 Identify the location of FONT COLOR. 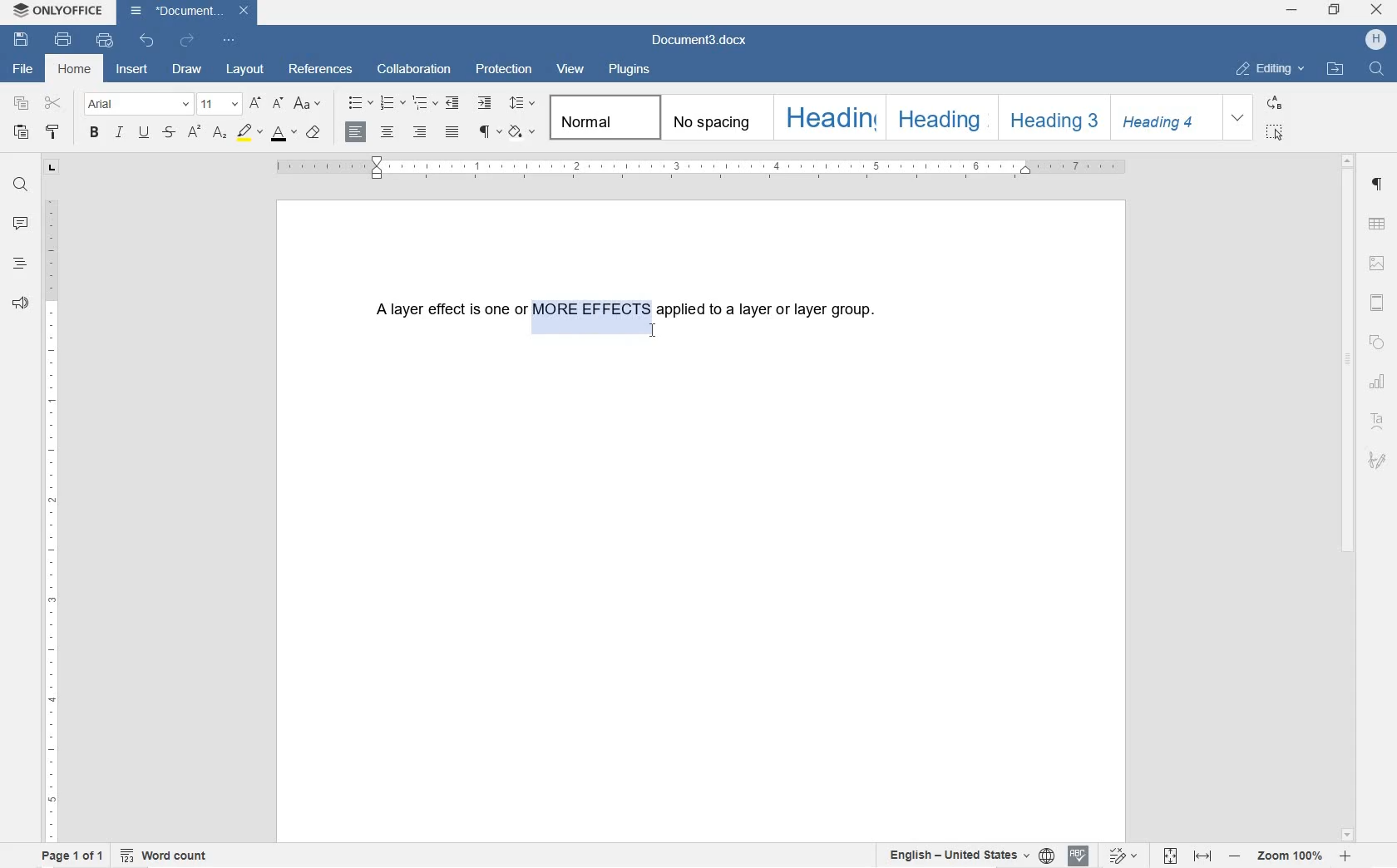
(282, 134).